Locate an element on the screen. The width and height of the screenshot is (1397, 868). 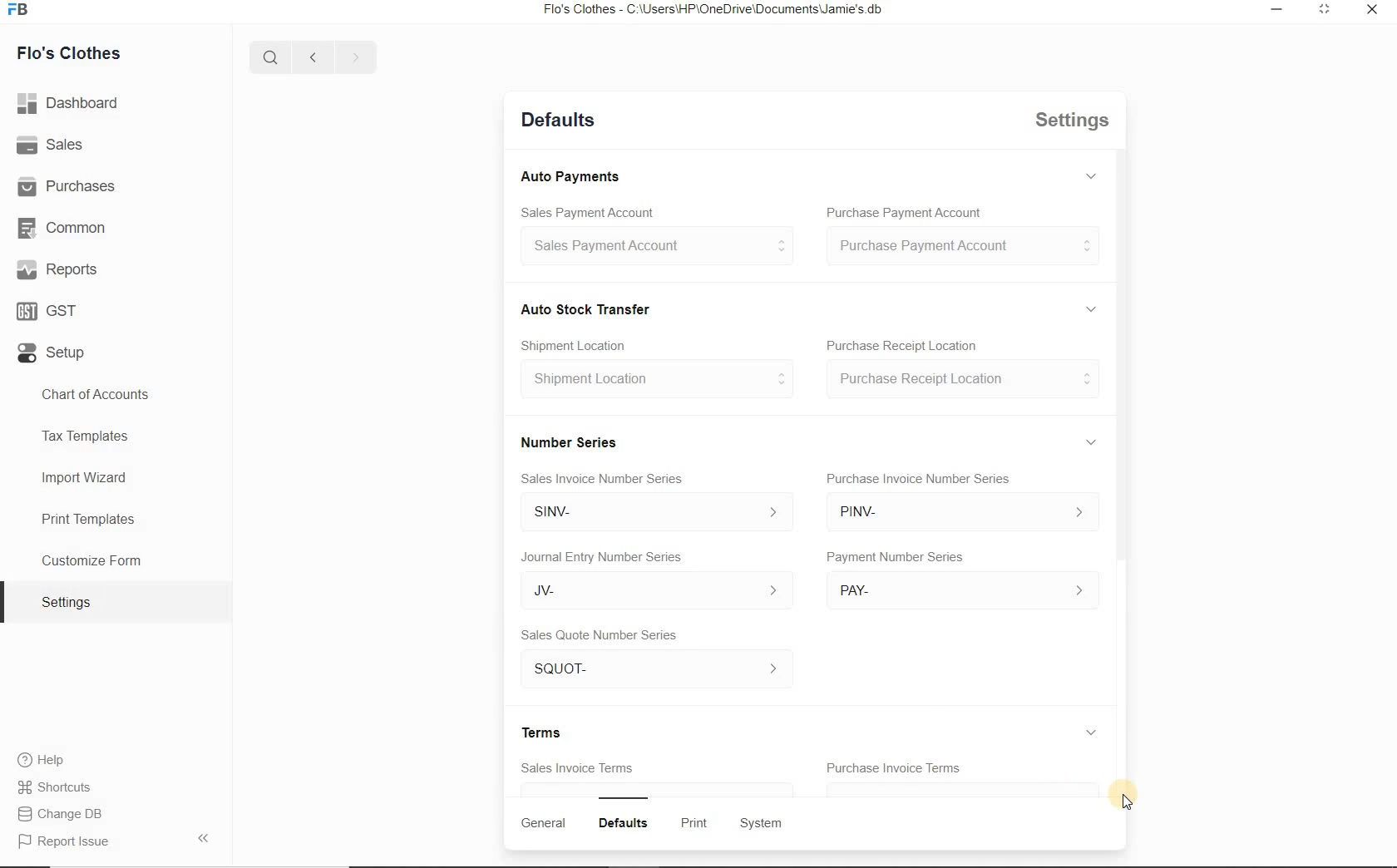
Previous is located at coordinates (310, 56).